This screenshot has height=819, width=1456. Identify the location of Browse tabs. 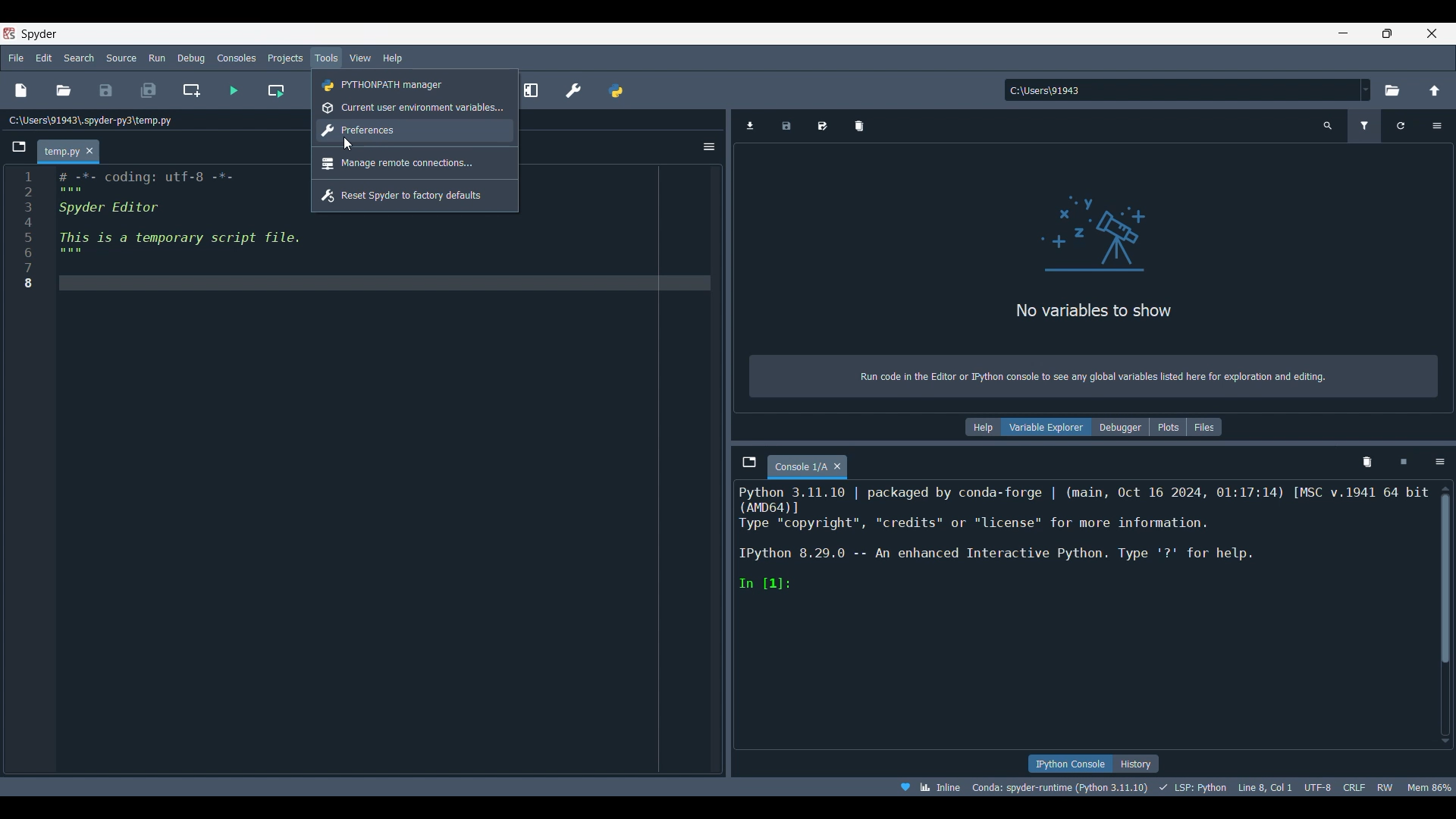
(20, 147).